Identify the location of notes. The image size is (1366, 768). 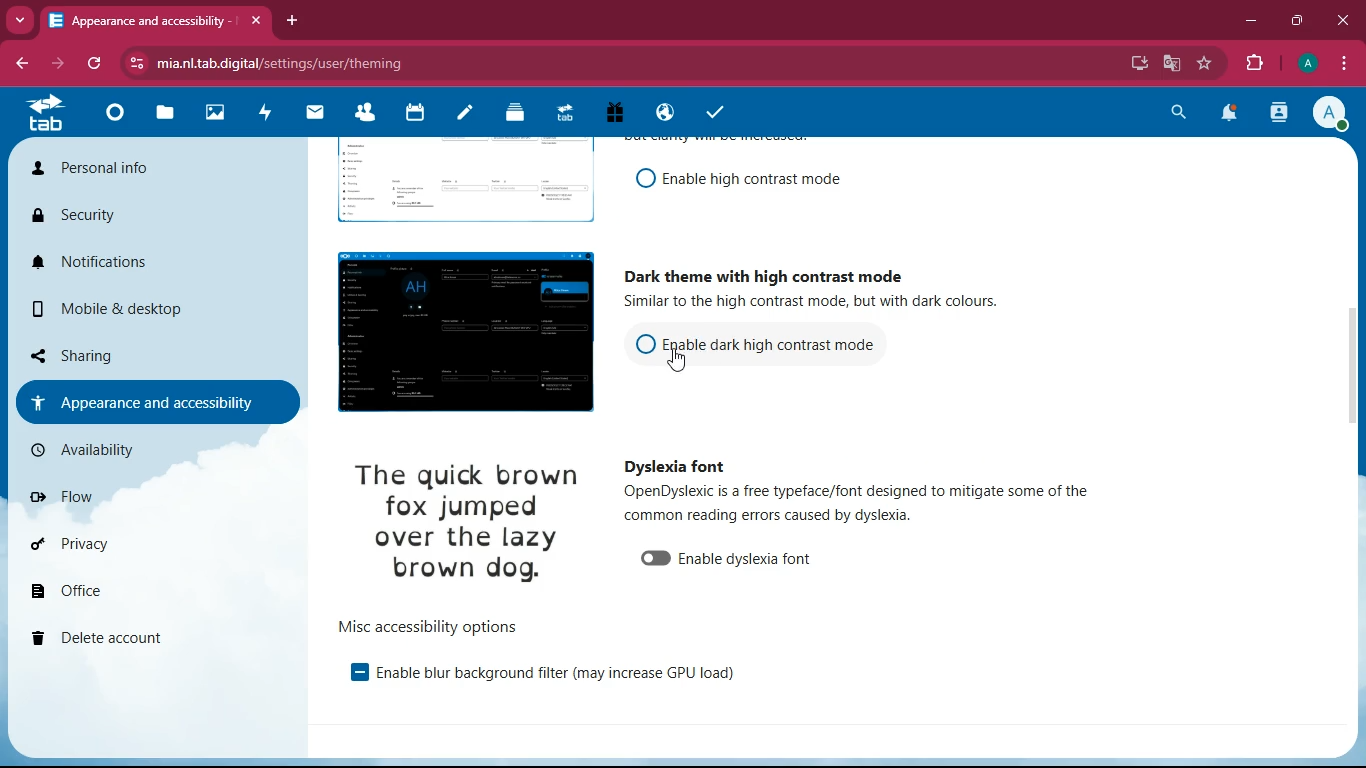
(469, 117).